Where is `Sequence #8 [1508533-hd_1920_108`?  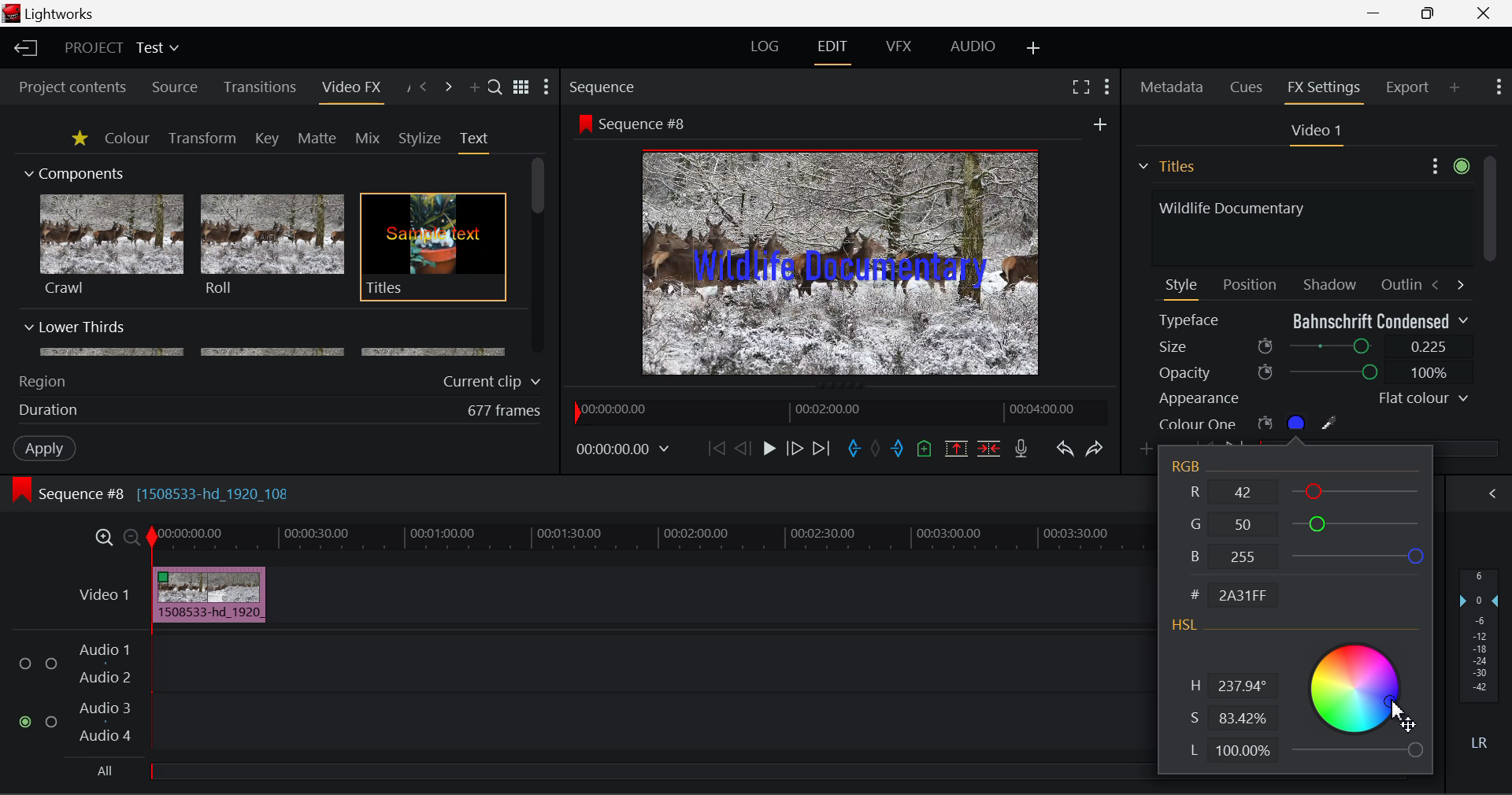 Sequence #8 [1508533-hd_1920_108 is located at coordinates (167, 494).